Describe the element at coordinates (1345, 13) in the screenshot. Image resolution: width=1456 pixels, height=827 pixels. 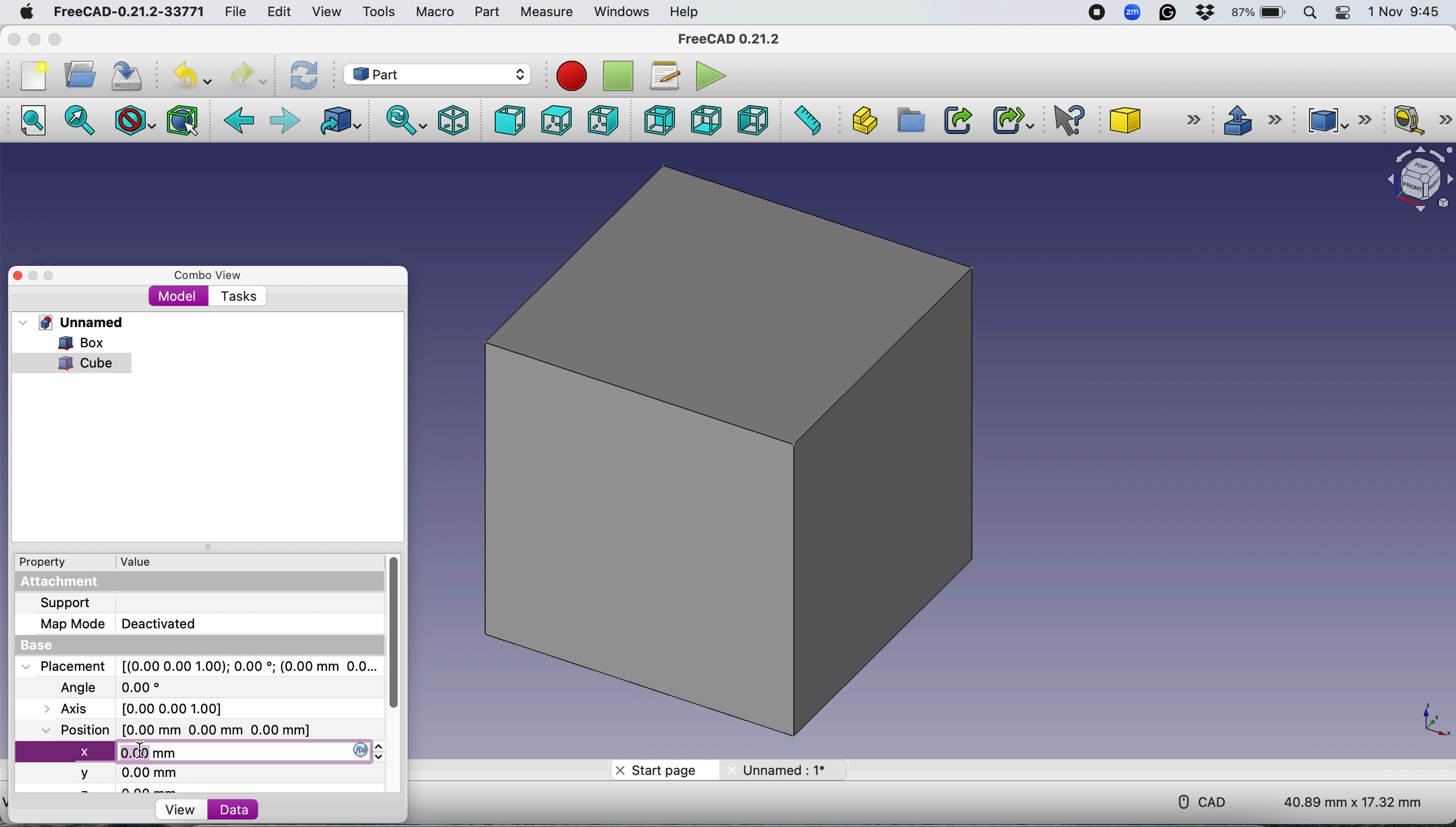
I see `Control center` at that location.